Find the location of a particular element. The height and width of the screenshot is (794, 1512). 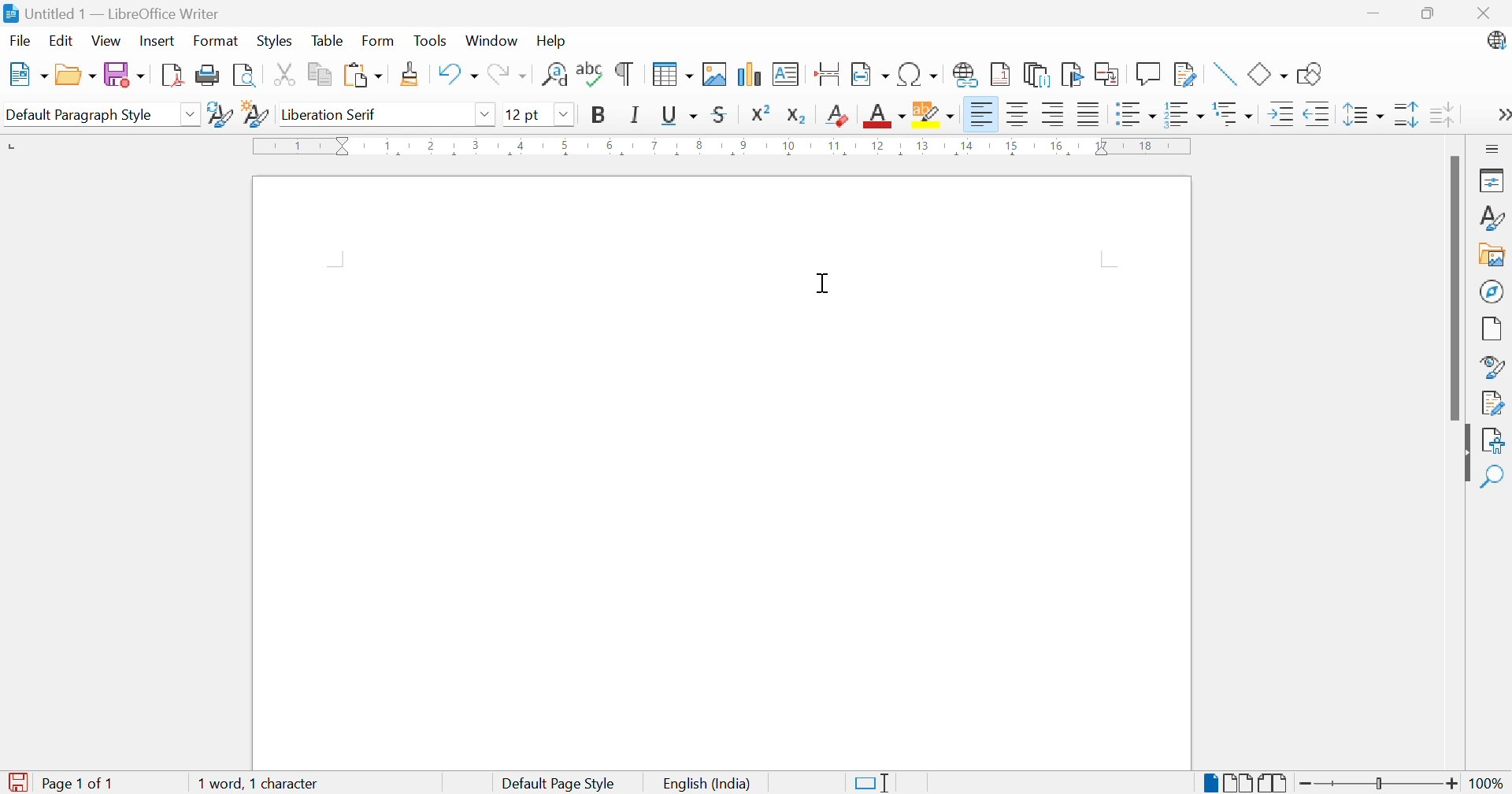

Select Outline Format is located at coordinates (1235, 114).